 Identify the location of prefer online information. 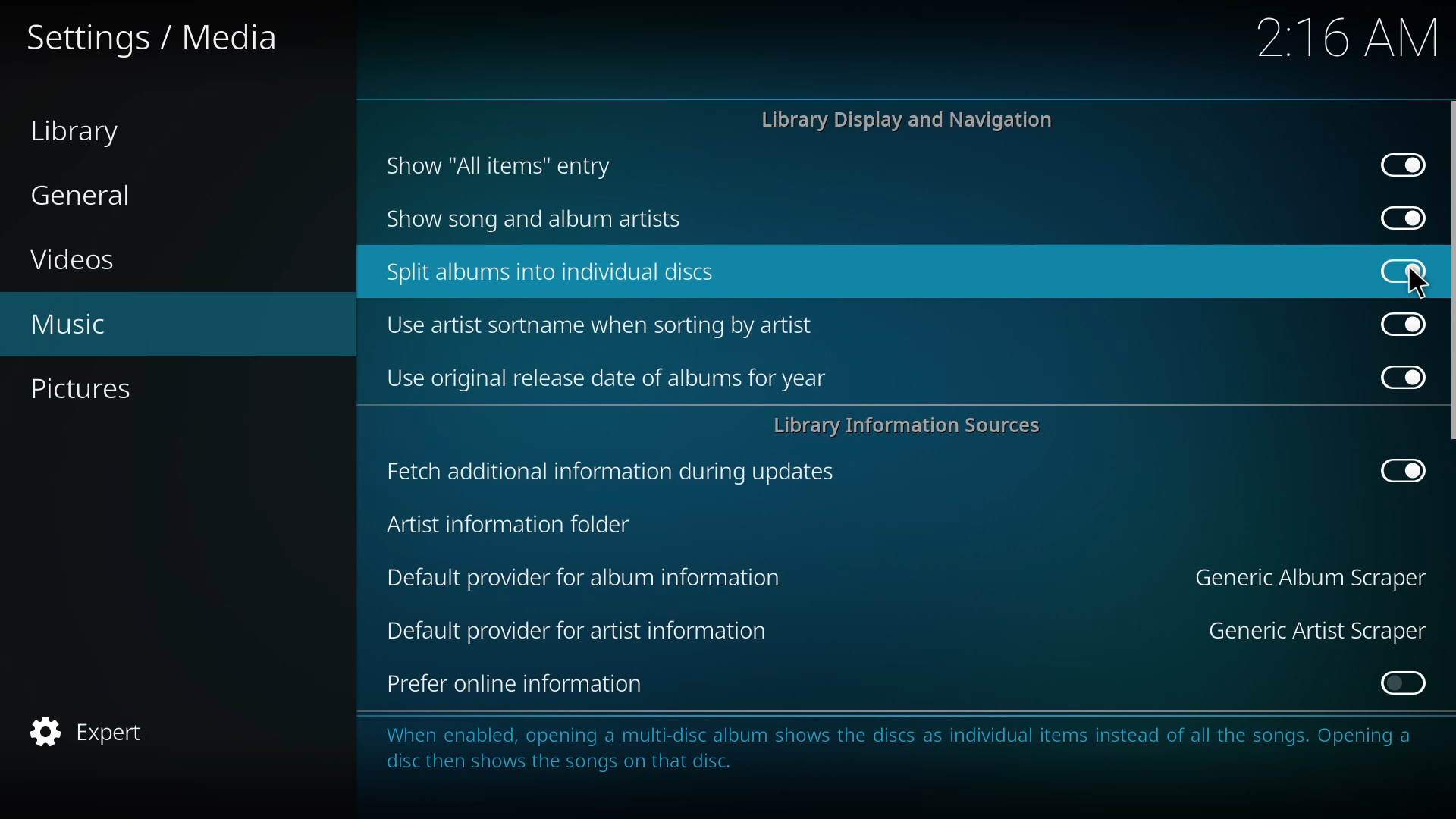
(513, 686).